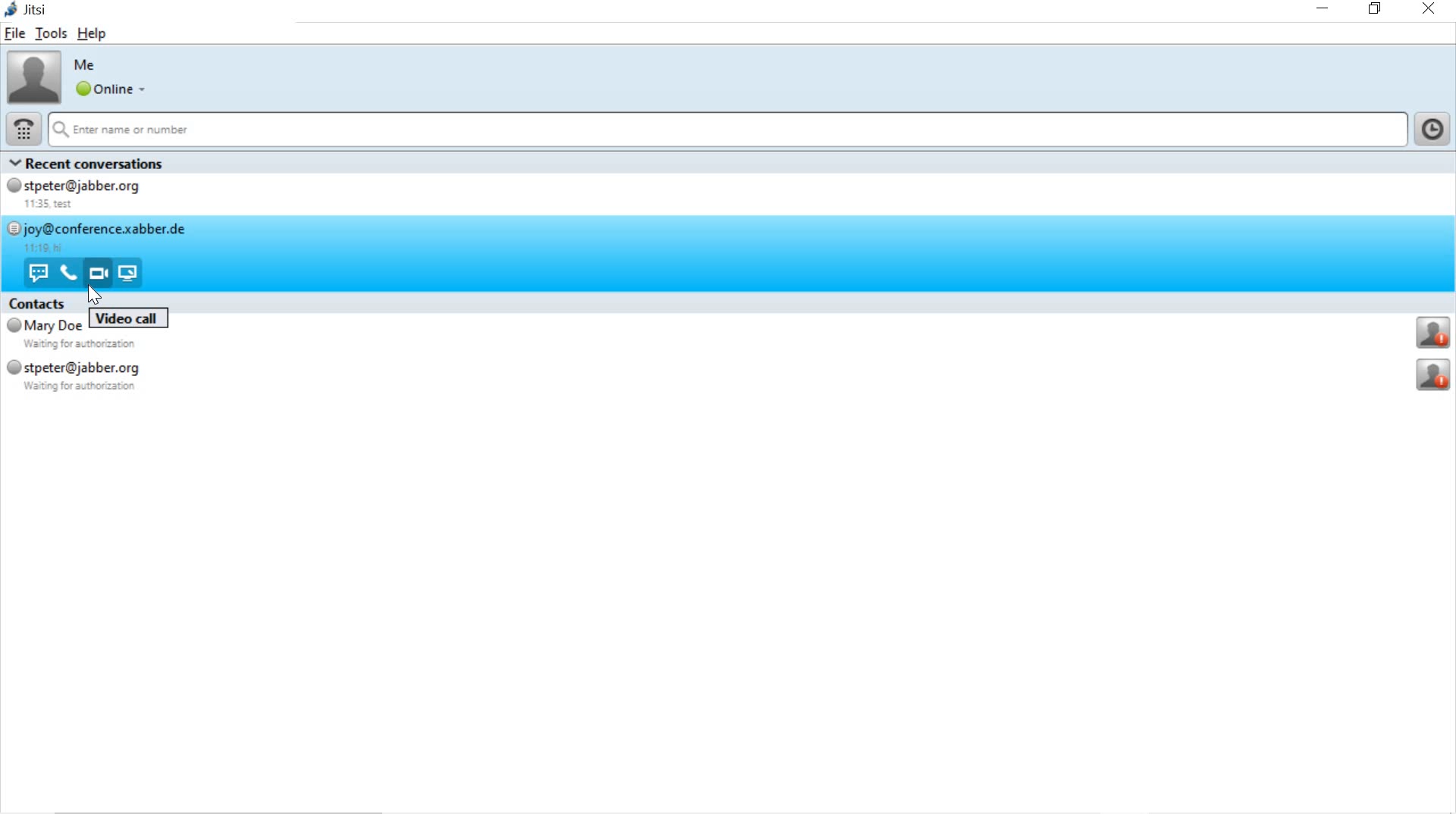 This screenshot has height=814, width=1456. What do you see at coordinates (87, 64) in the screenshot?
I see `Me` at bounding box center [87, 64].